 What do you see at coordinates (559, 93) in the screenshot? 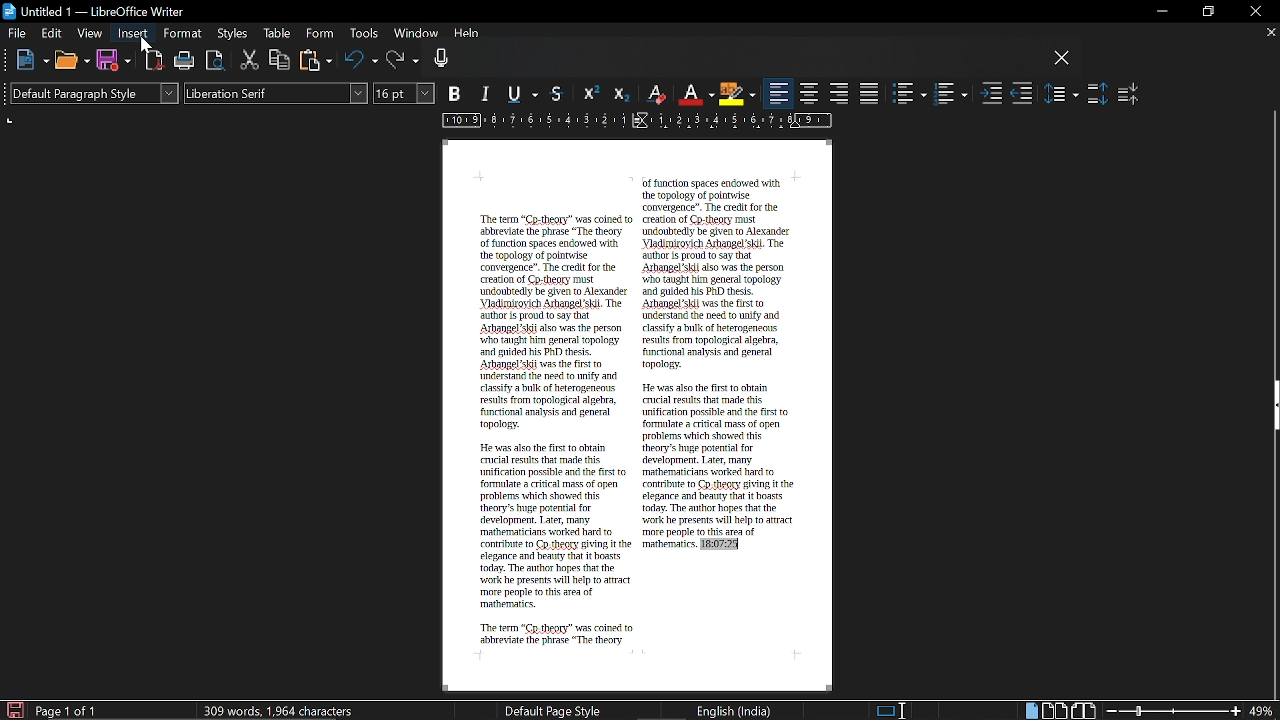
I see `strikethrough` at bounding box center [559, 93].